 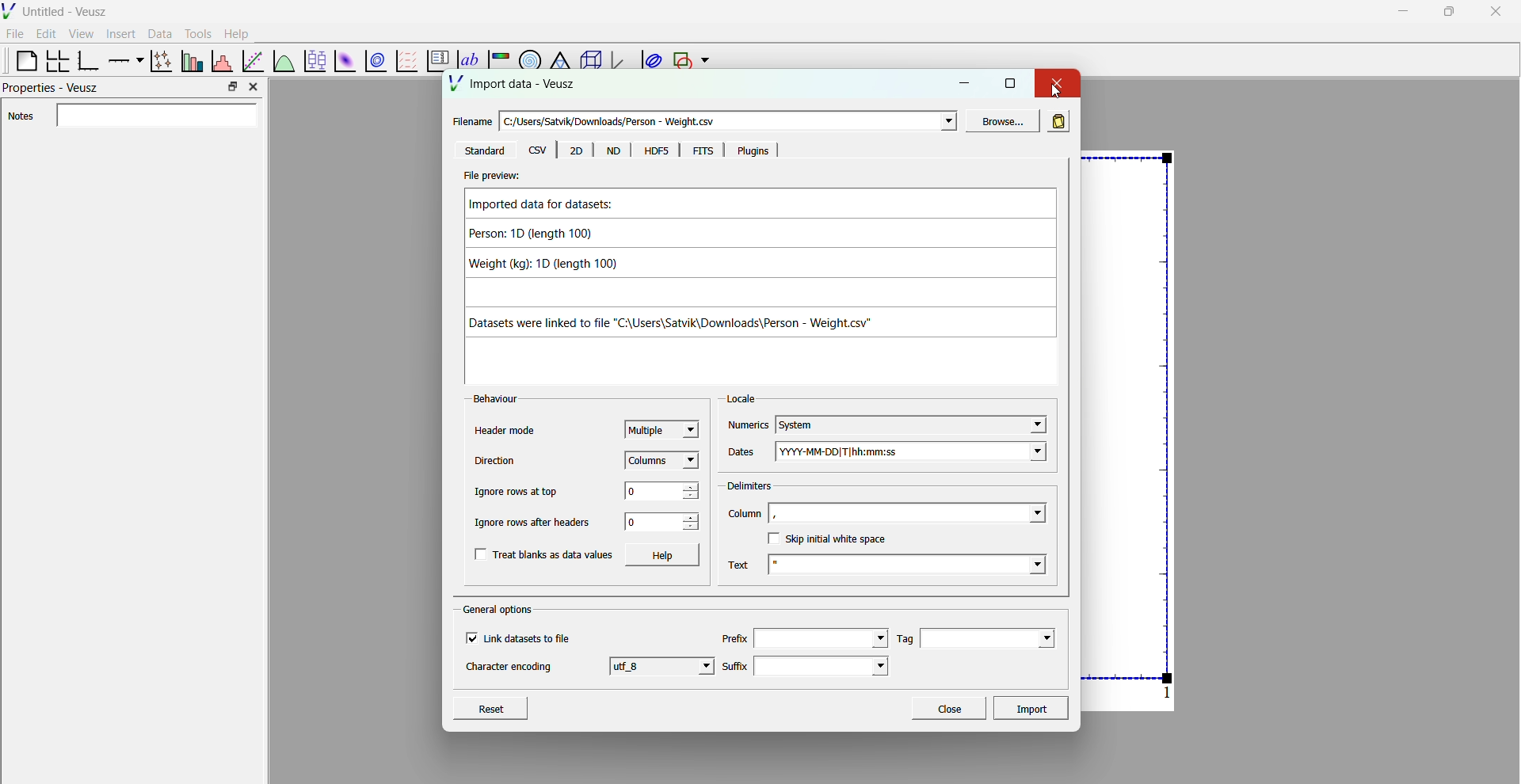 I want to click on plot key, so click(x=435, y=62).